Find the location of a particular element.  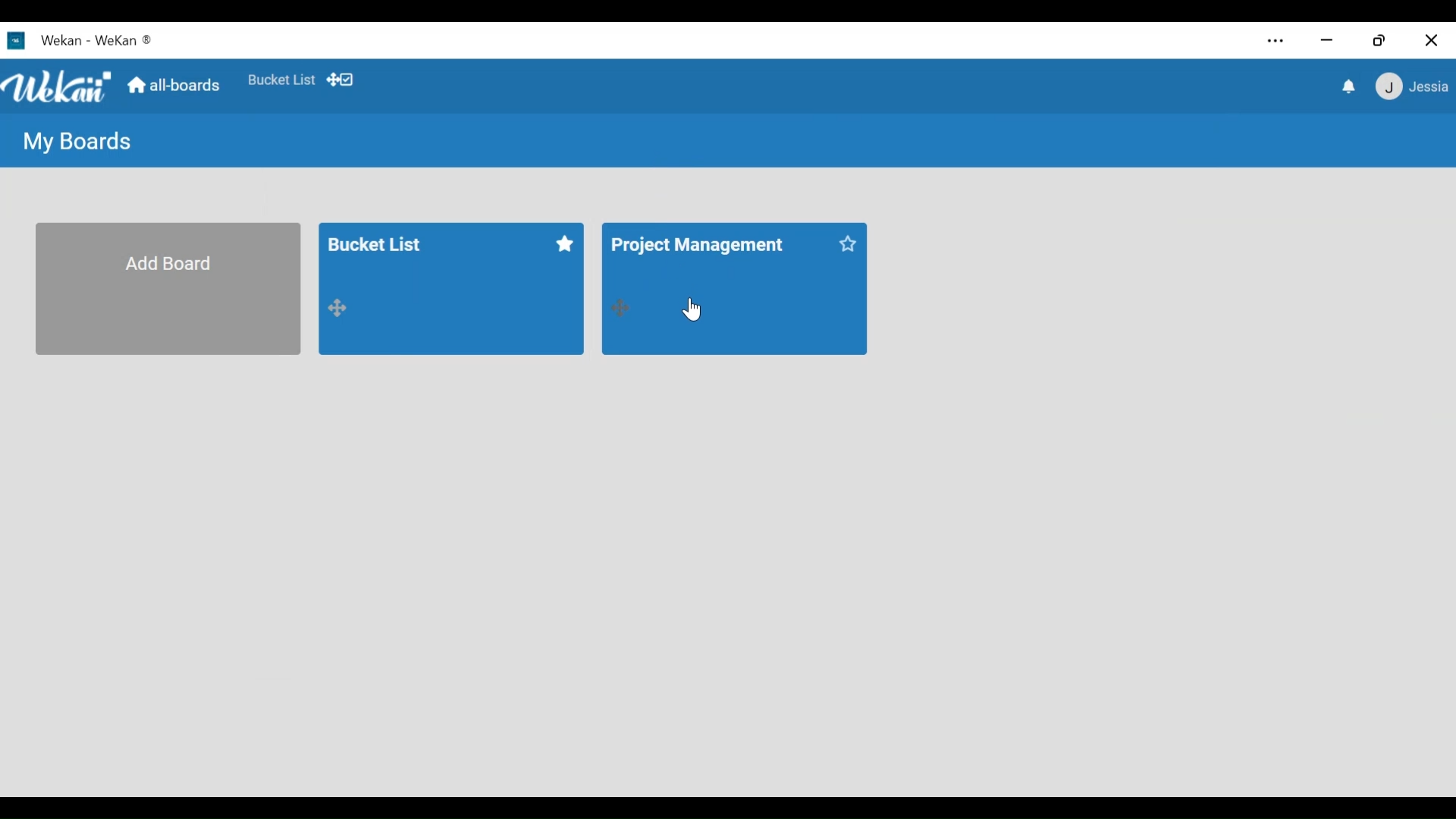

Close is located at coordinates (1430, 40).